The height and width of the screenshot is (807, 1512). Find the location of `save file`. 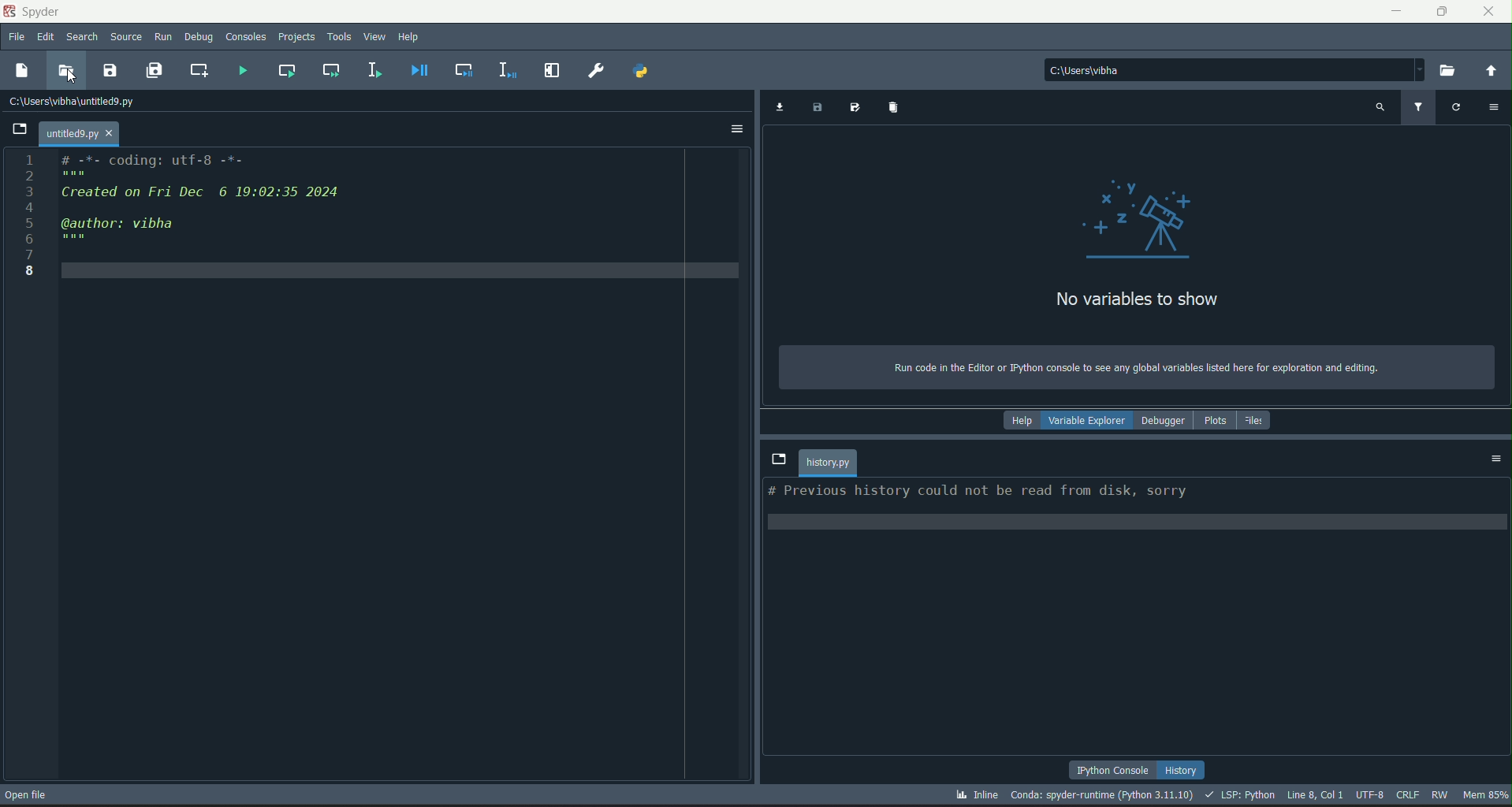

save file is located at coordinates (111, 70).